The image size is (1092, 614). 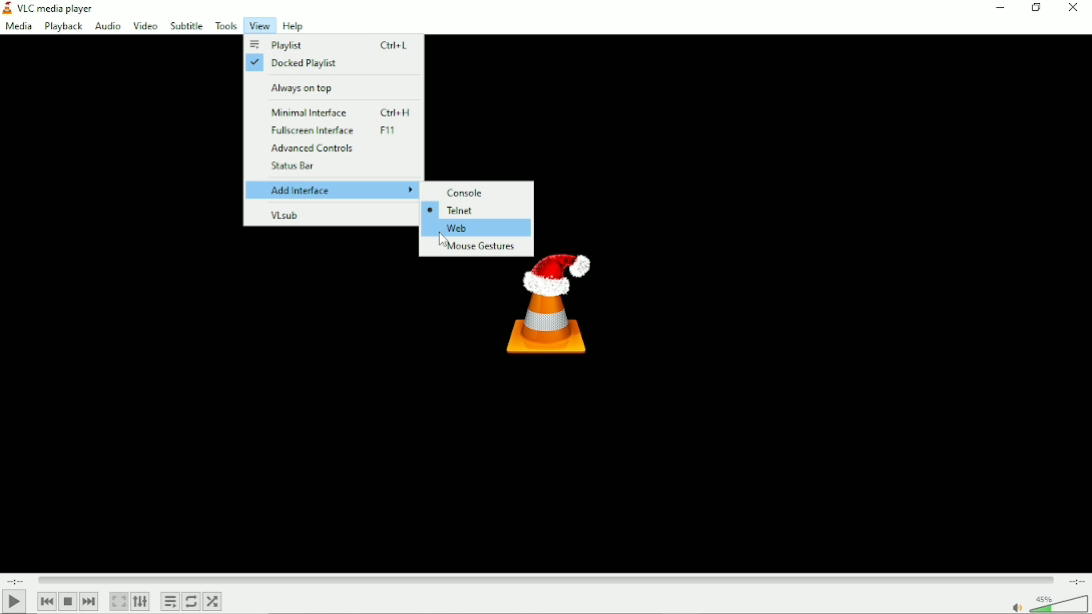 What do you see at coordinates (55, 7) in the screenshot?
I see `VLC media player` at bounding box center [55, 7].